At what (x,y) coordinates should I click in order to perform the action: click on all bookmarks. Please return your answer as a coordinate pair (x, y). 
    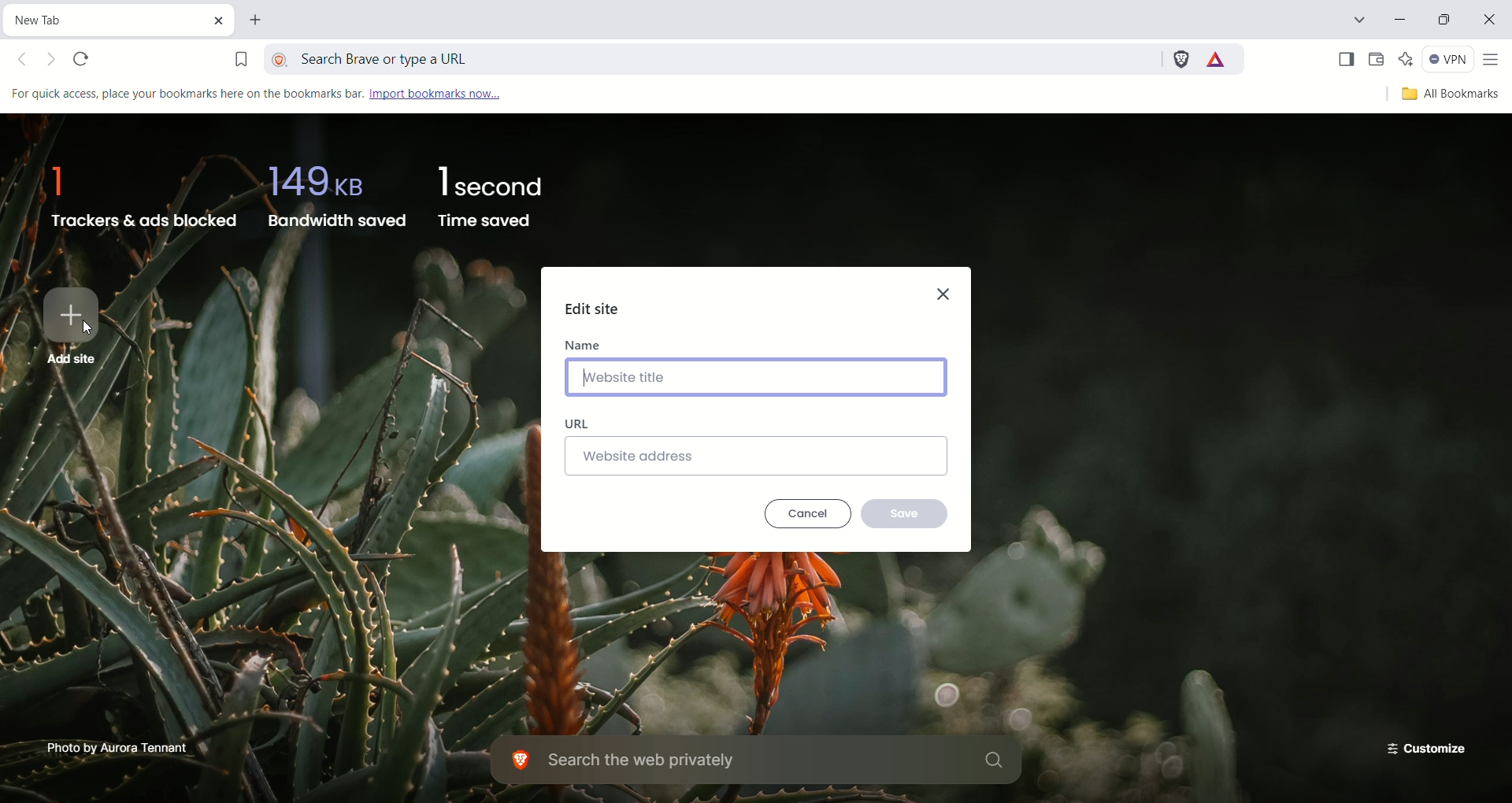
    Looking at the image, I should click on (1447, 95).